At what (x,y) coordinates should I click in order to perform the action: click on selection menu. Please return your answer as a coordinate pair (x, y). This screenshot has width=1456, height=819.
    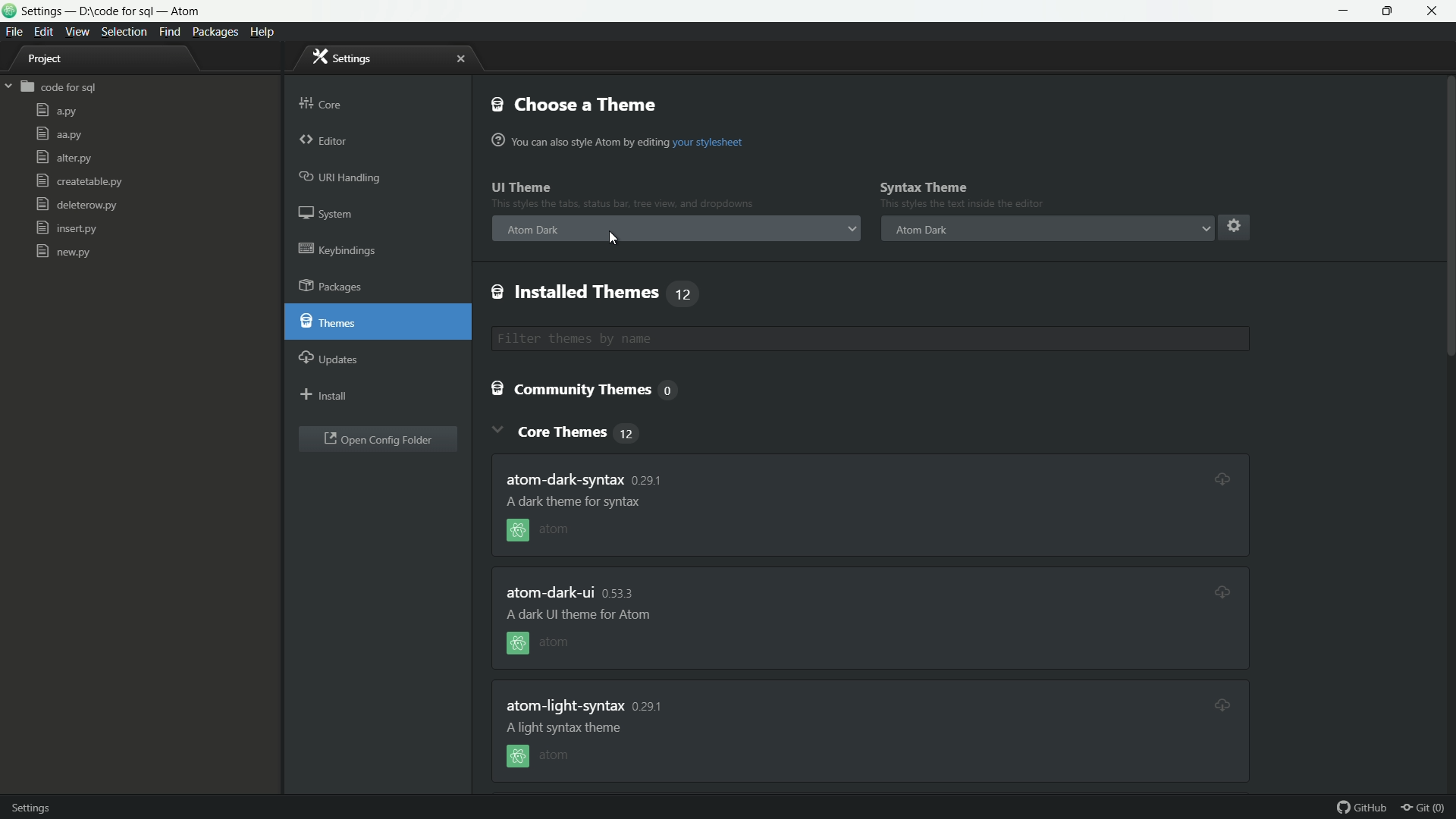
    Looking at the image, I should click on (124, 32).